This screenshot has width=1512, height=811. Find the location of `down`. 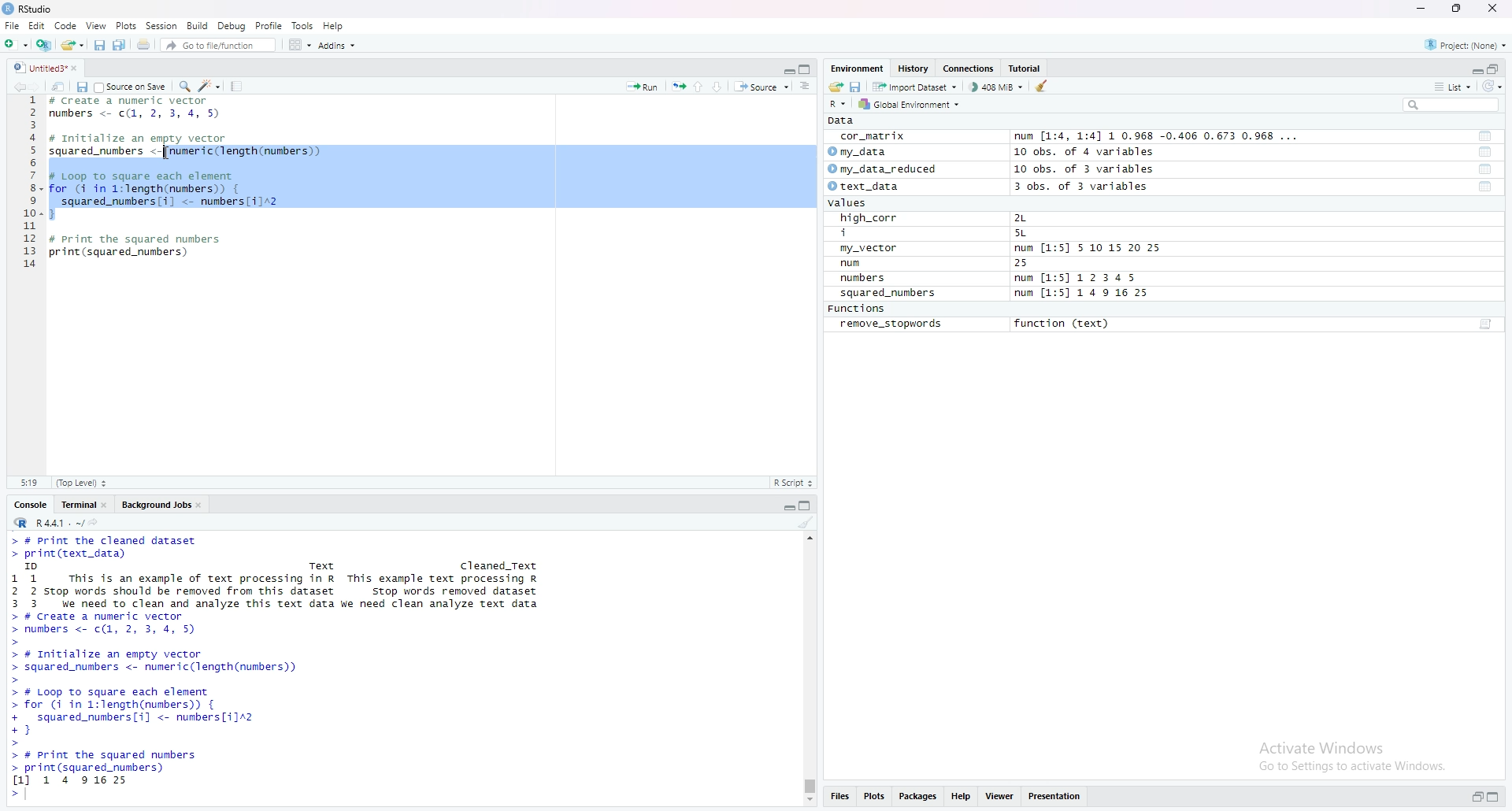

down is located at coordinates (718, 86).